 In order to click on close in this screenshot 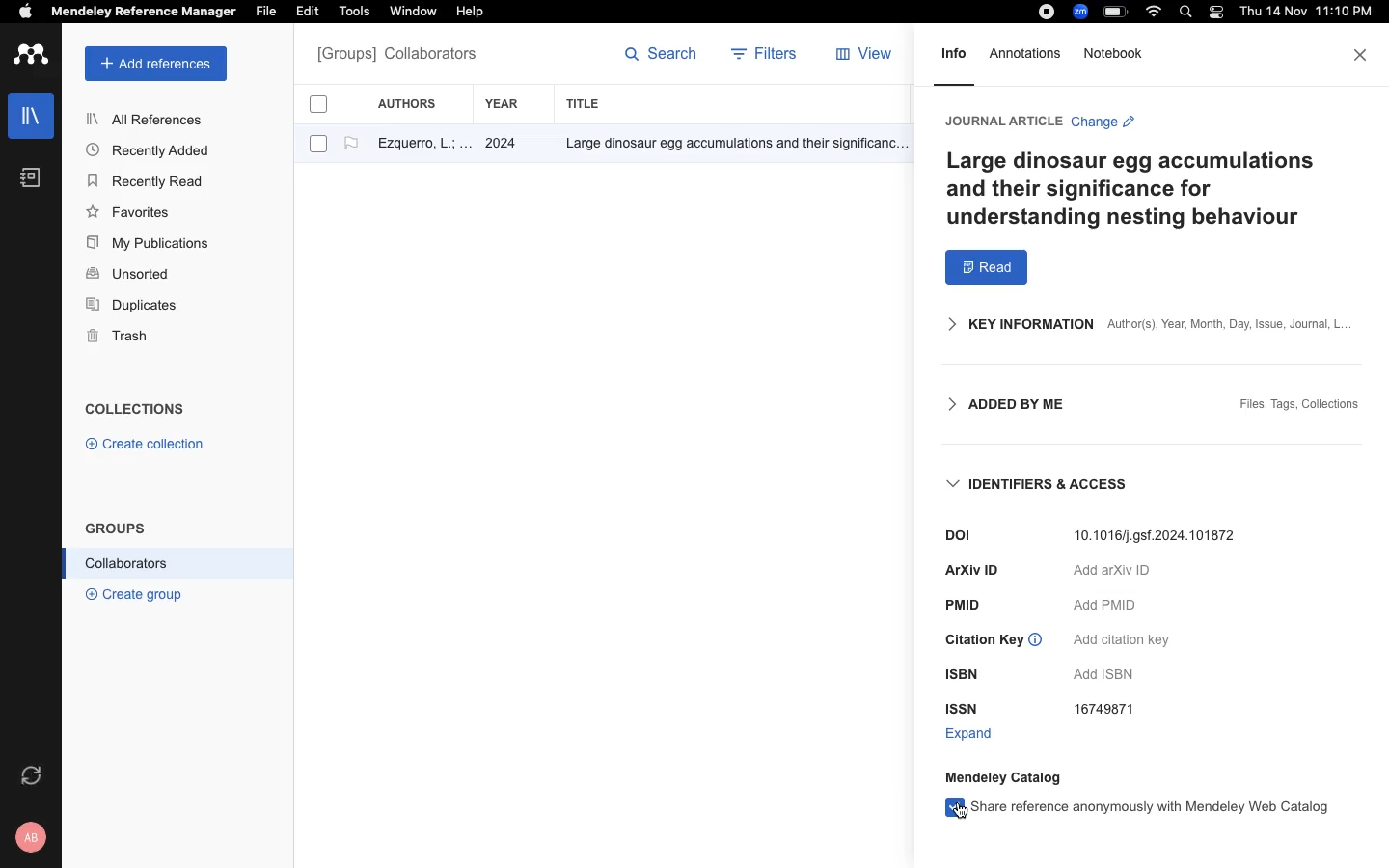, I will do `click(1362, 55)`.